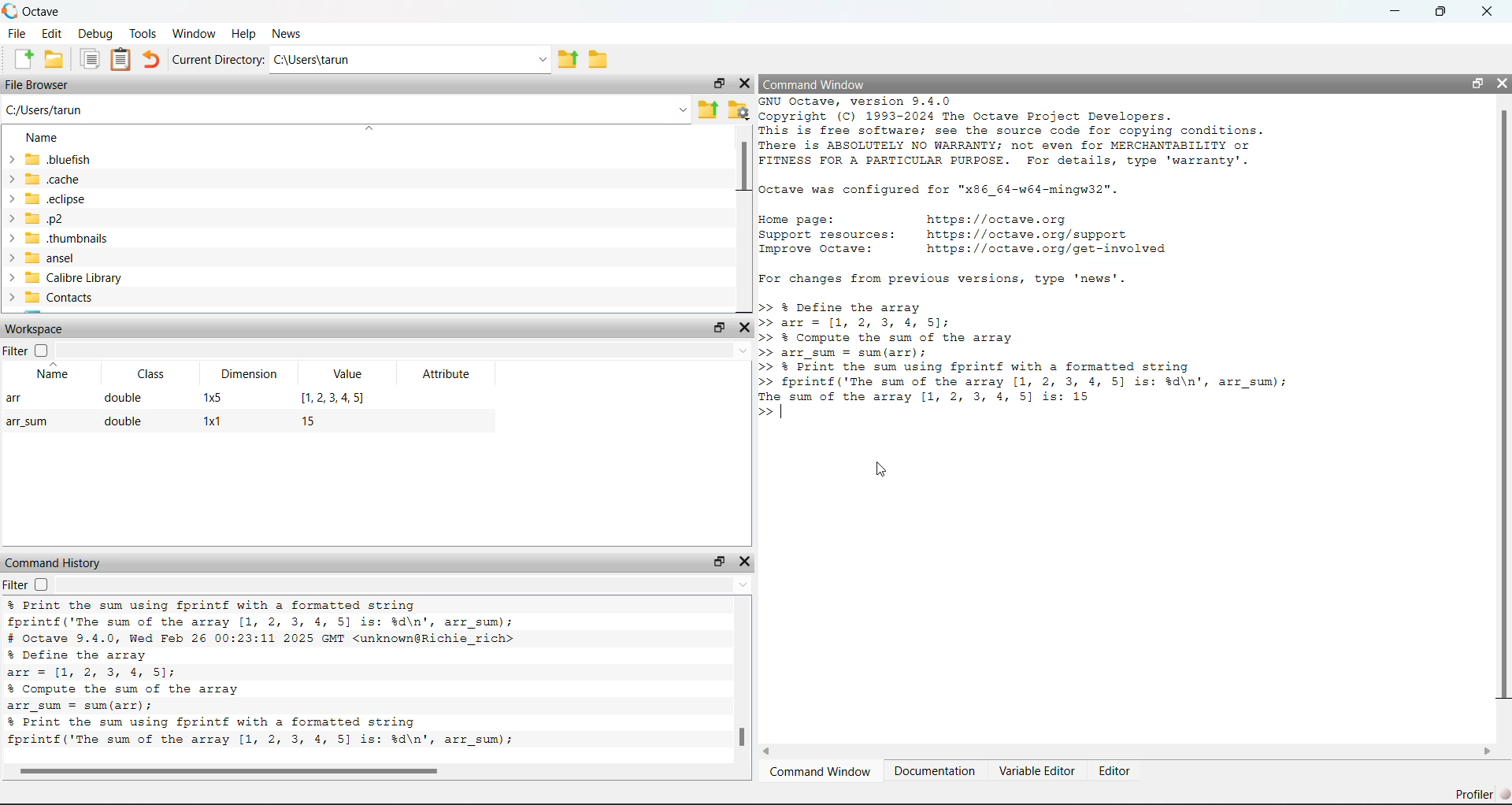  Describe the element at coordinates (55, 299) in the screenshot. I see `Contacts` at that location.